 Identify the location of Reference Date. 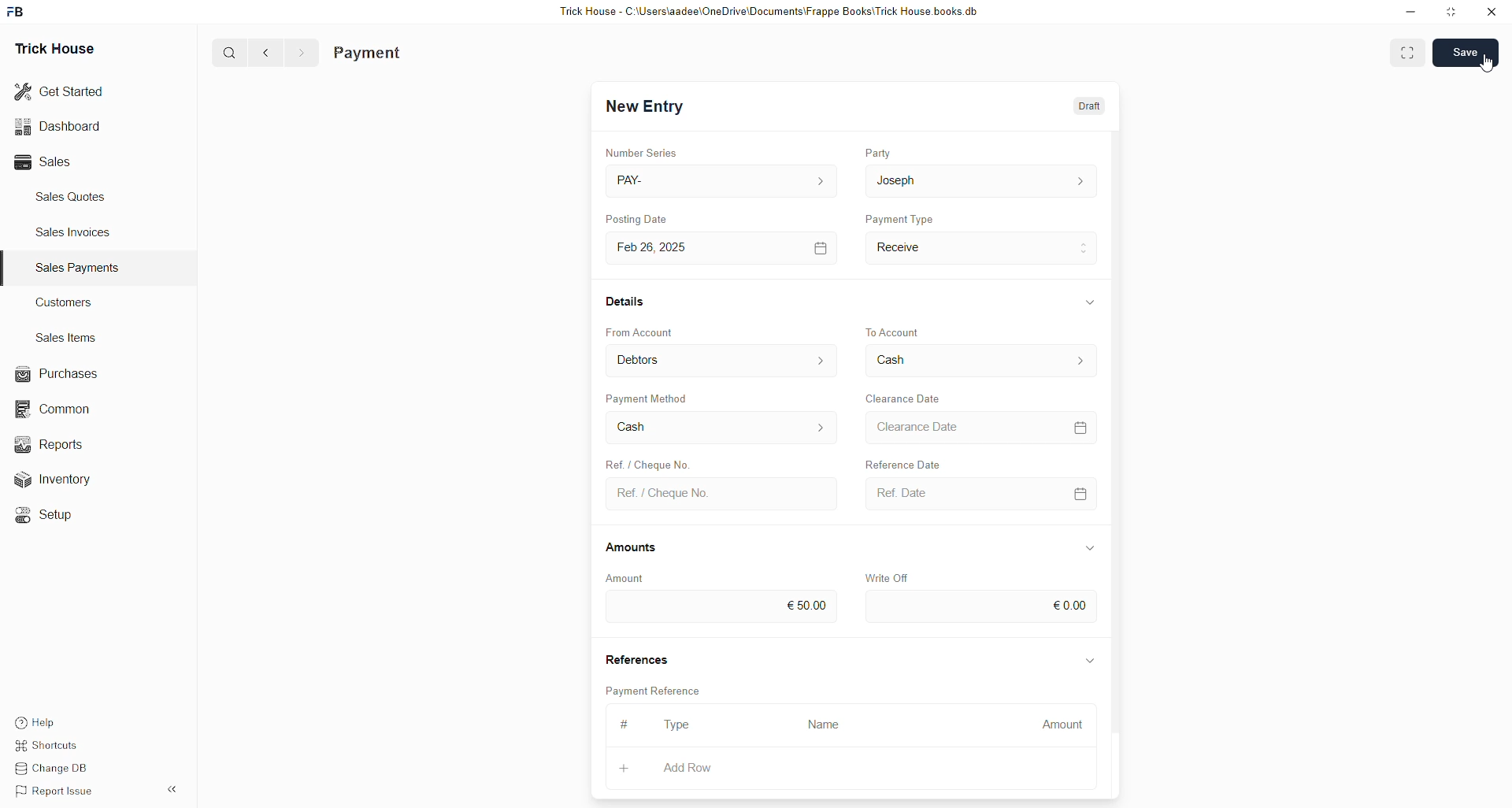
(902, 462).